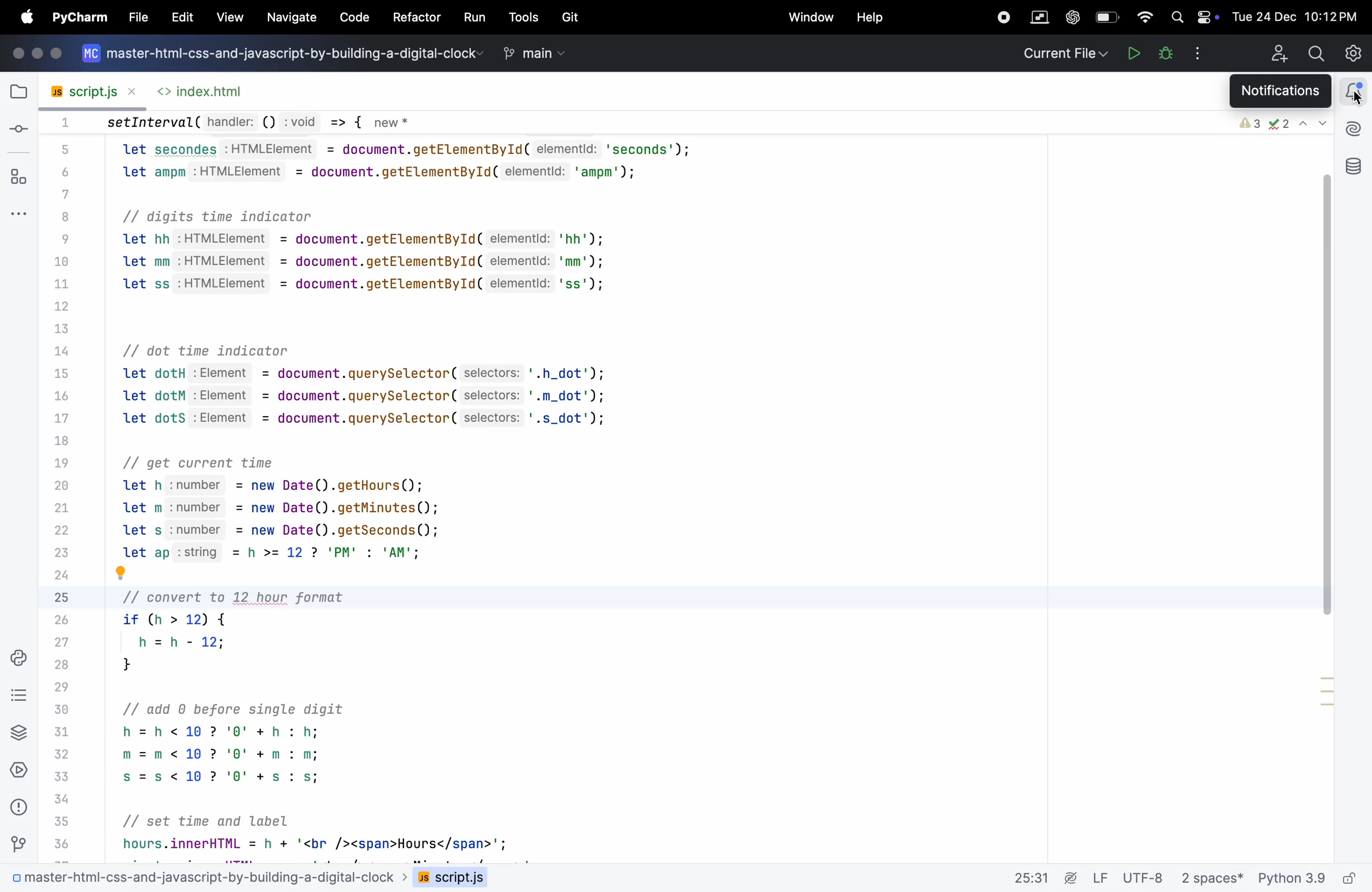 This screenshot has width=1372, height=892. Describe the element at coordinates (19, 772) in the screenshot. I see `services` at that location.